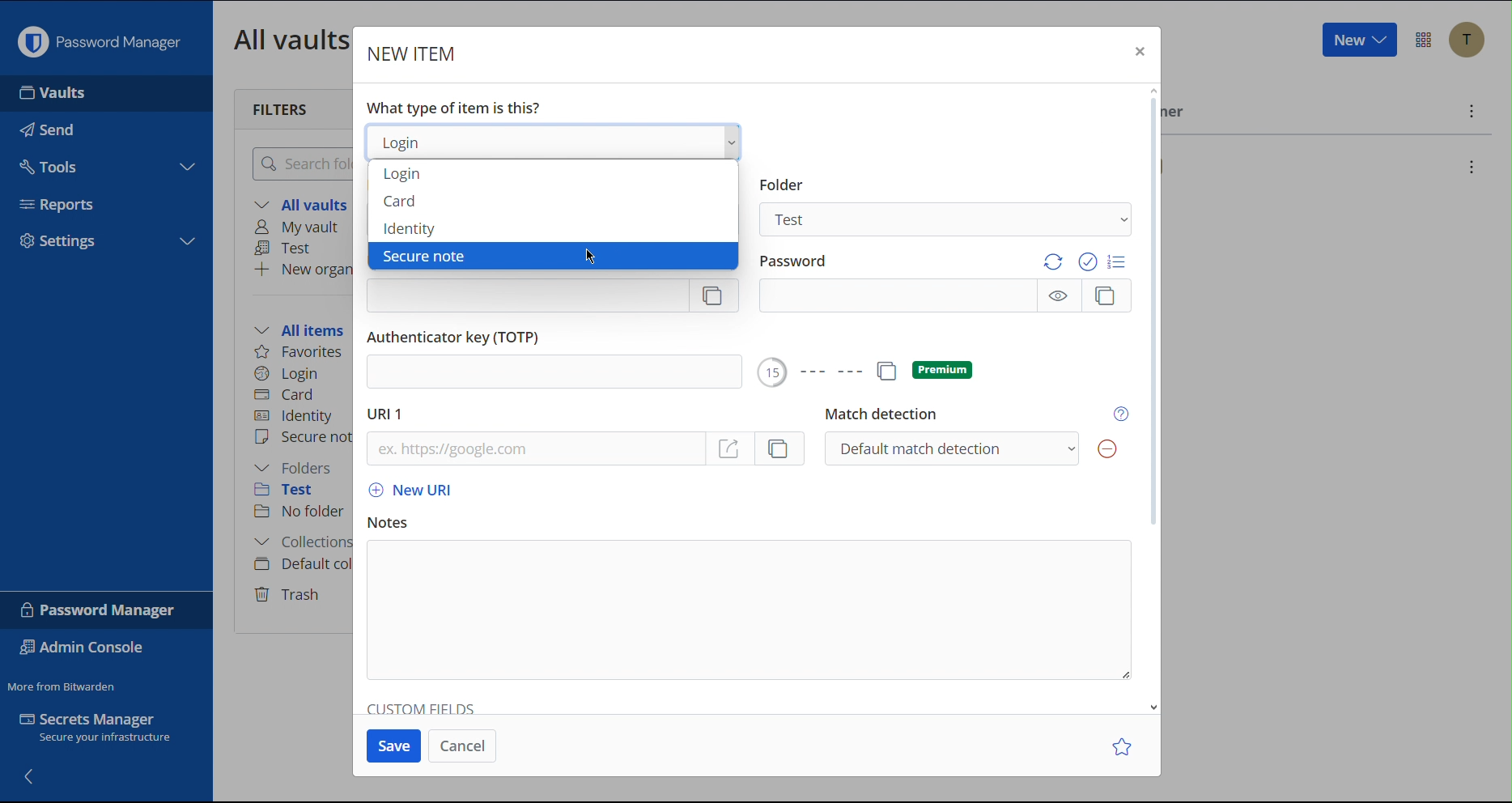 The image size is (1512, 803). Describe the element at coordinates (948, 219) in the screenshot. I see `Test` at that location.